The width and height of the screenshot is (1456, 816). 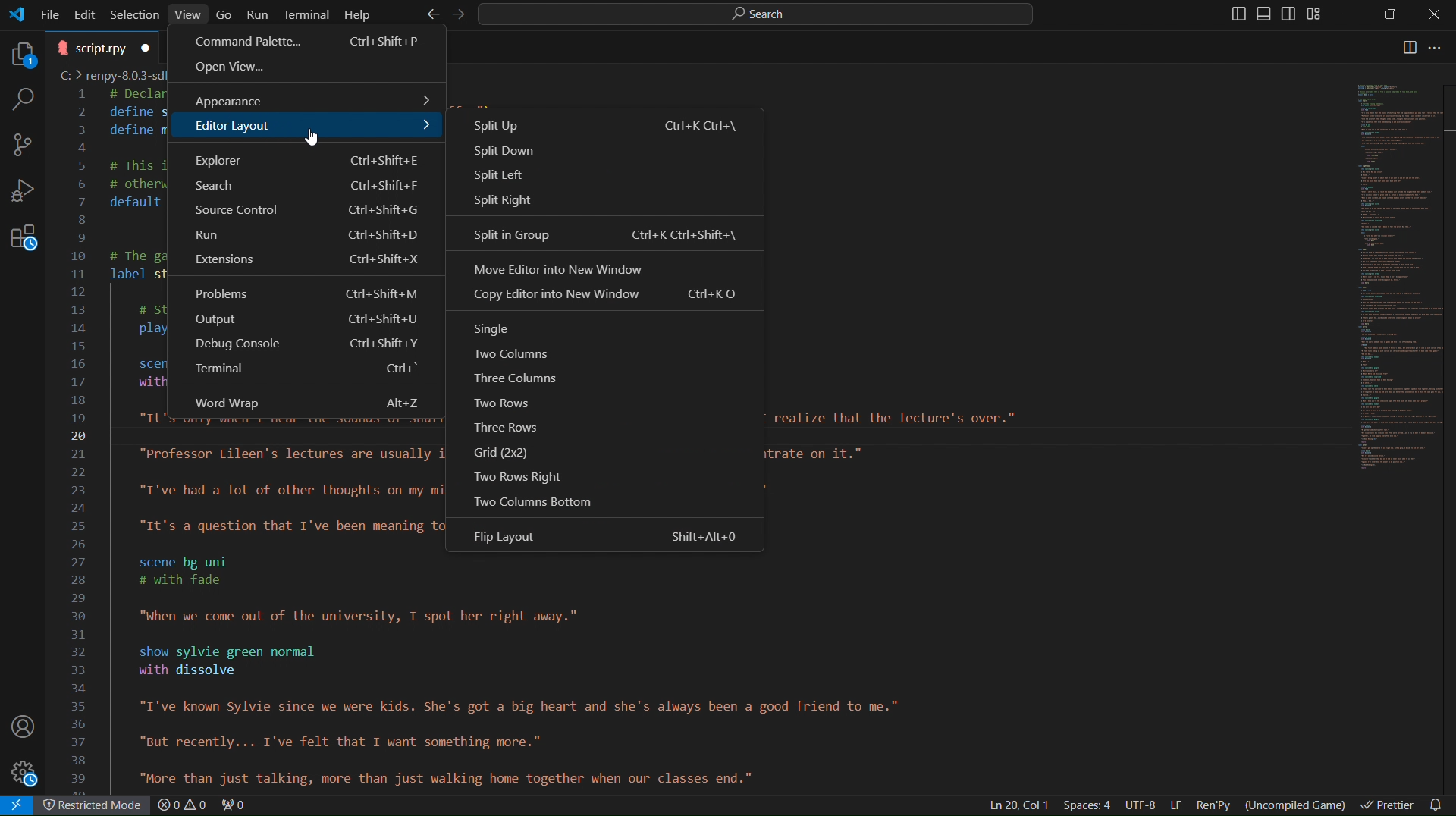 What do you see at coordinates (309, 42) in the screenshot?
I see `Command Palette...   ctrl+shift+p` at bounding box center [309, 42].